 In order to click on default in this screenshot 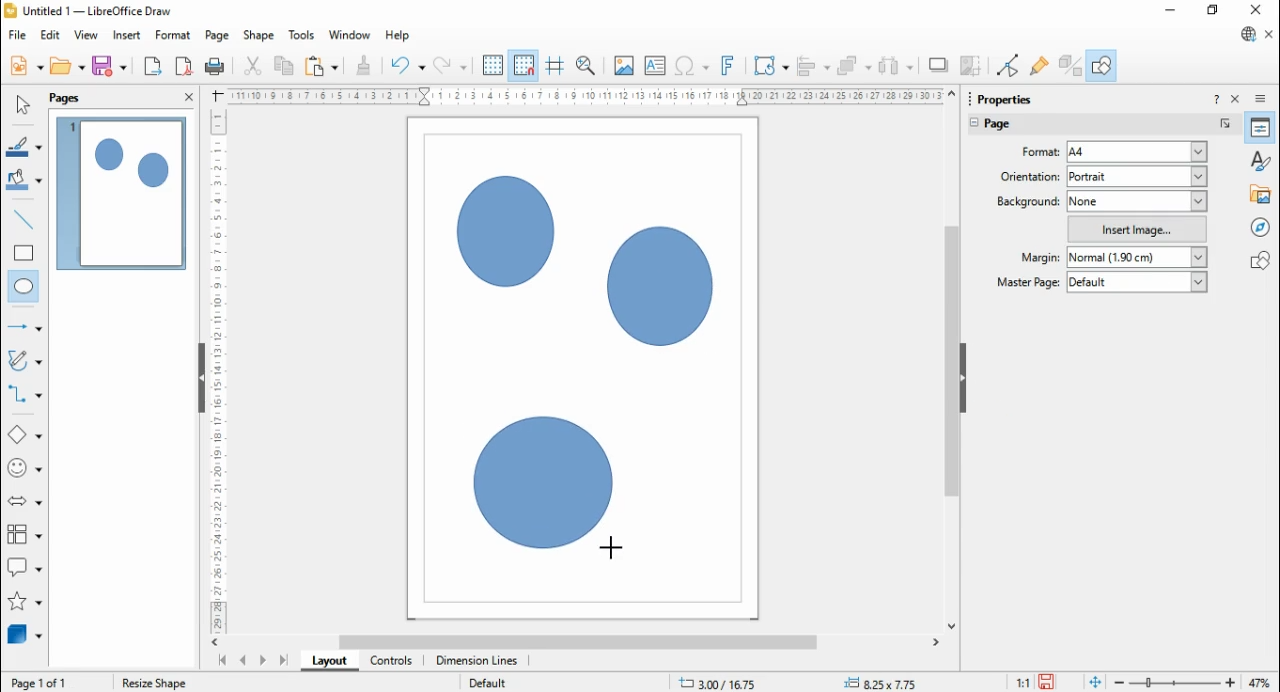, I will do `click(1137, 281)`.